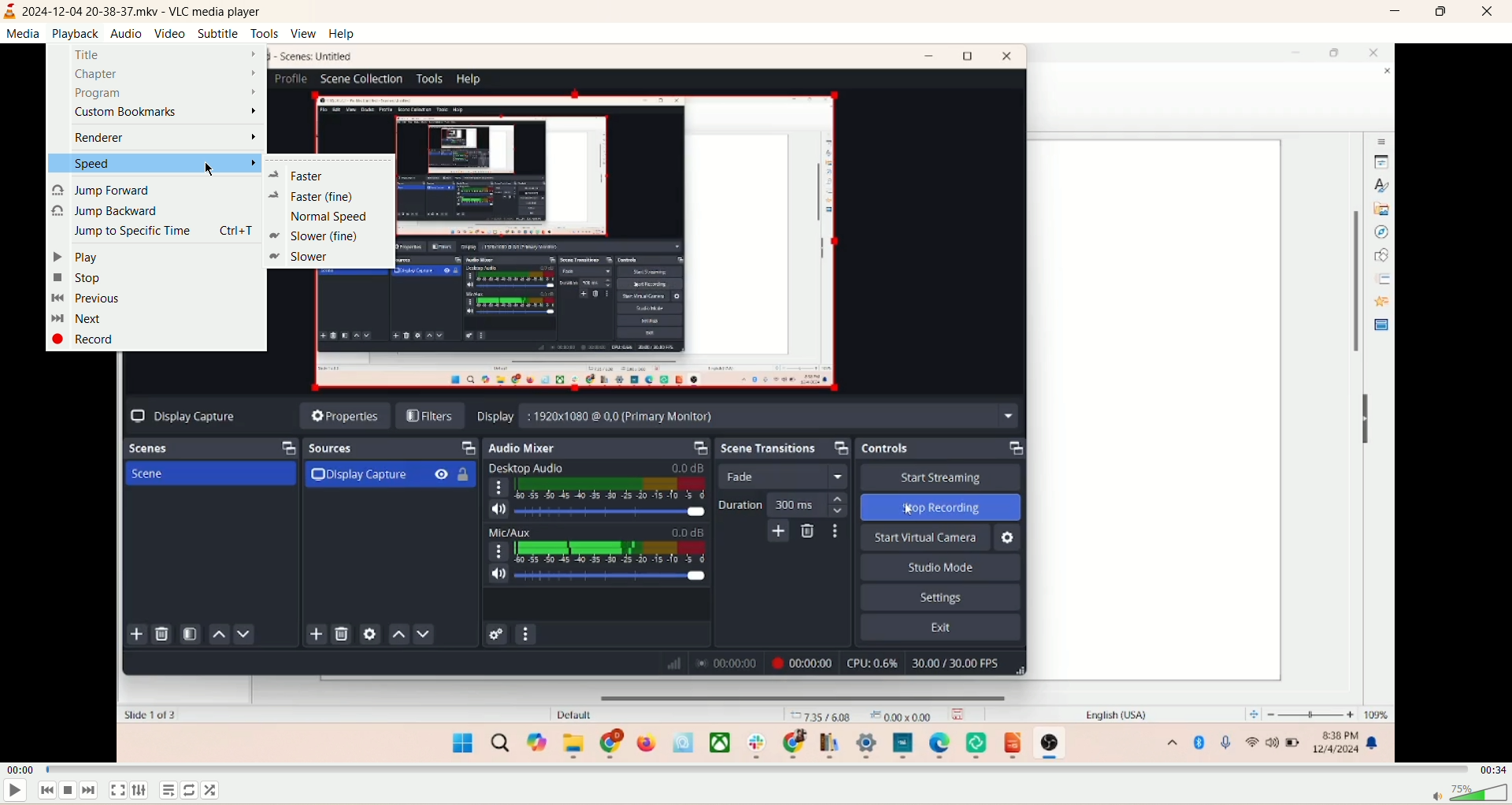 Image resolution: width=1512 pixels, height=805 pixels. I want to click on help, so click(343, 34).